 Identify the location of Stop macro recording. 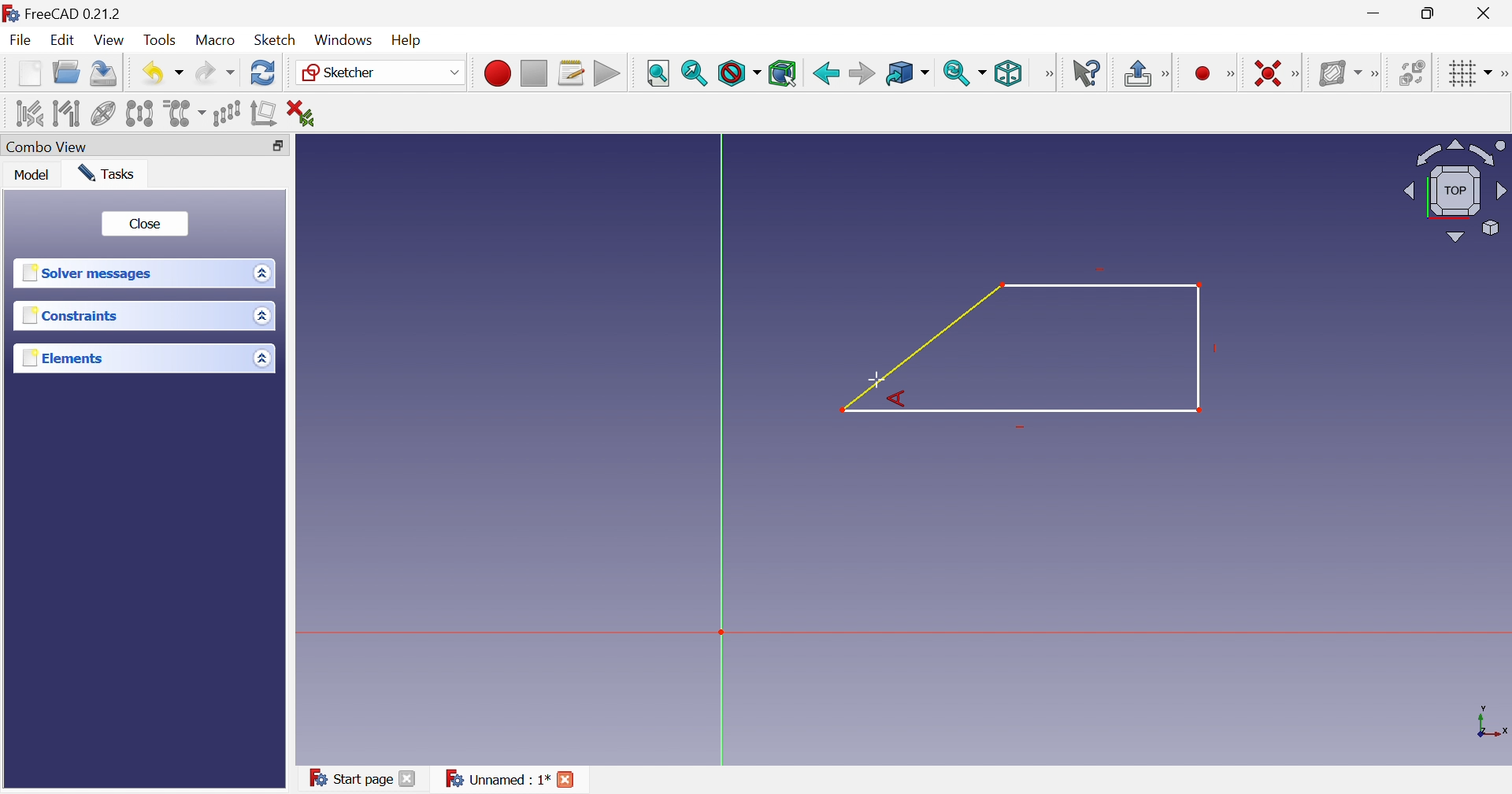
(533, 72).